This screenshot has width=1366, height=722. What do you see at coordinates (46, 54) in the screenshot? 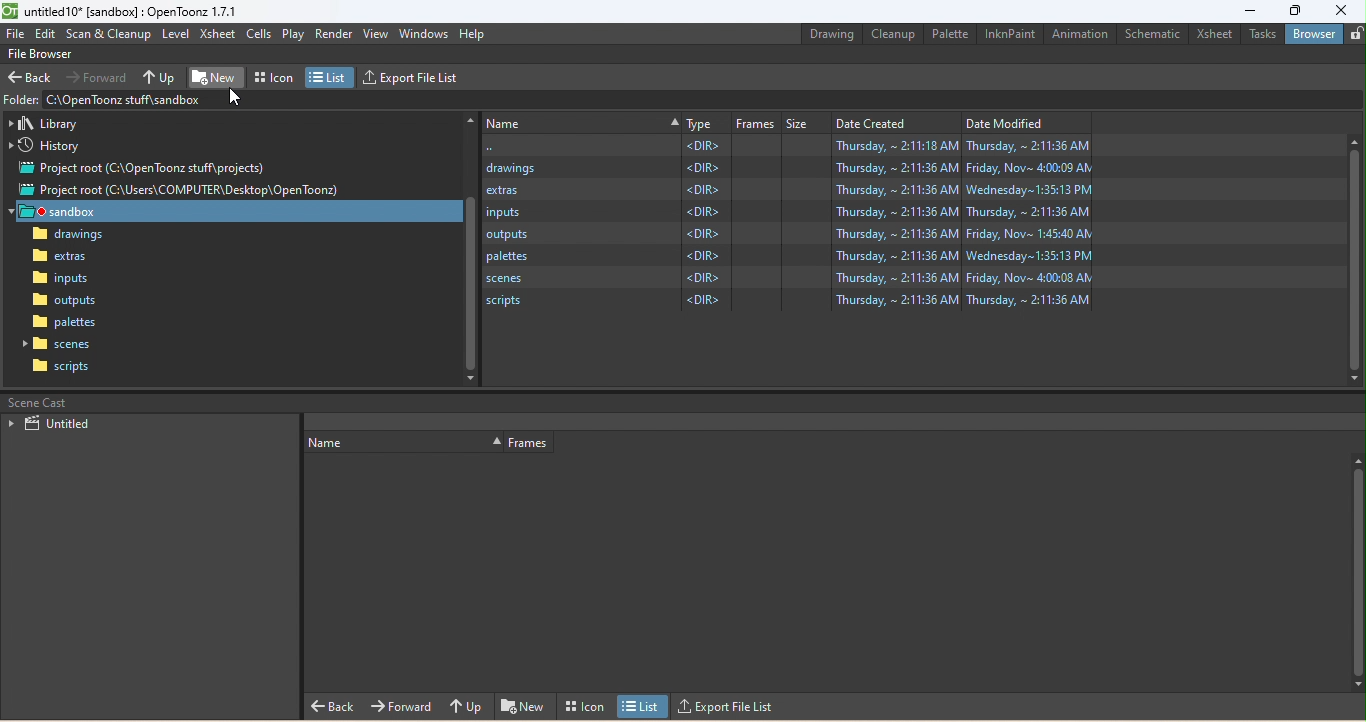
I see `File browser` at bounding box center [46, 54].